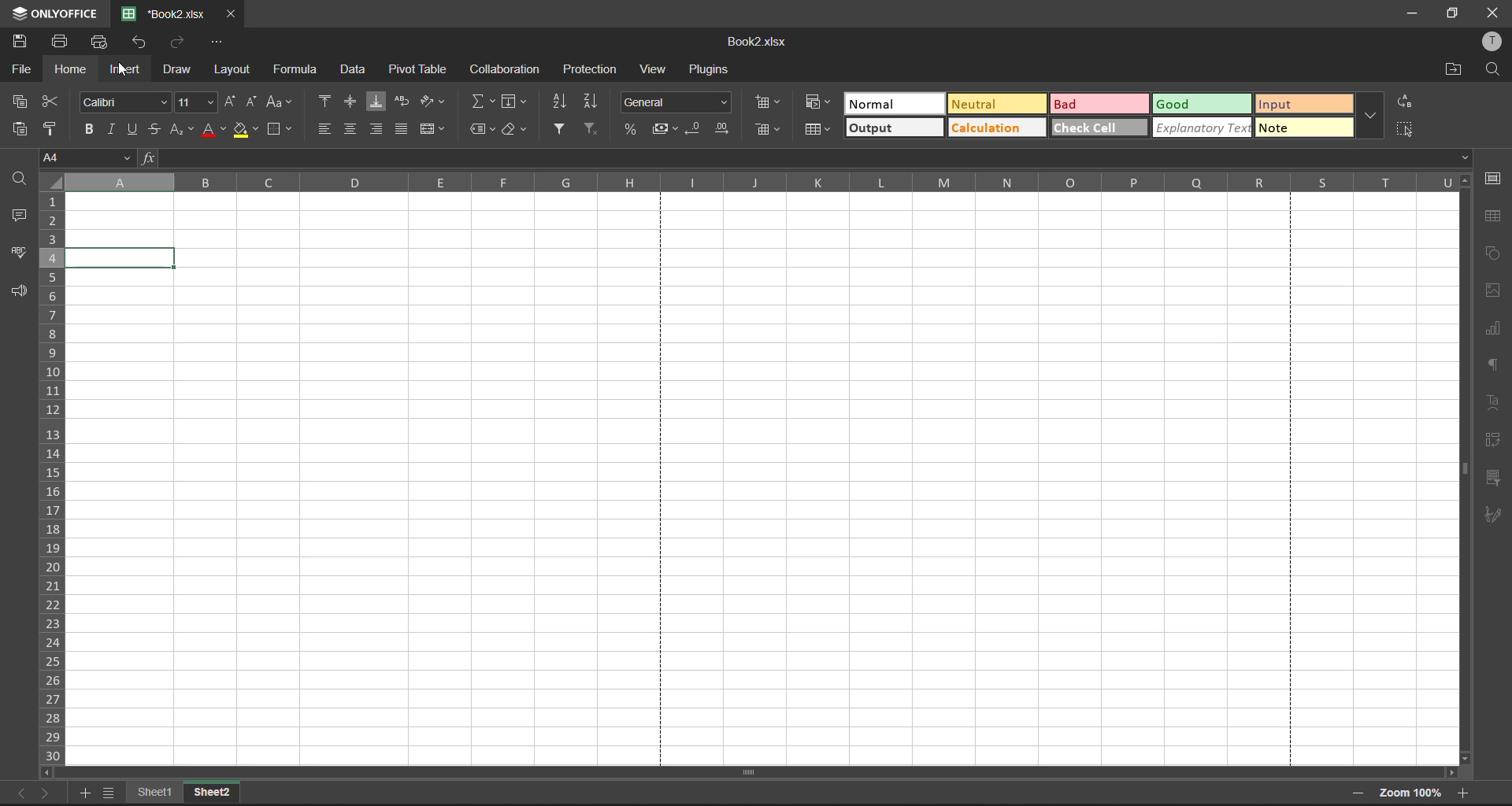 This screenshot has height=806, width=1512. I want to click on input, so click(1304, 104).